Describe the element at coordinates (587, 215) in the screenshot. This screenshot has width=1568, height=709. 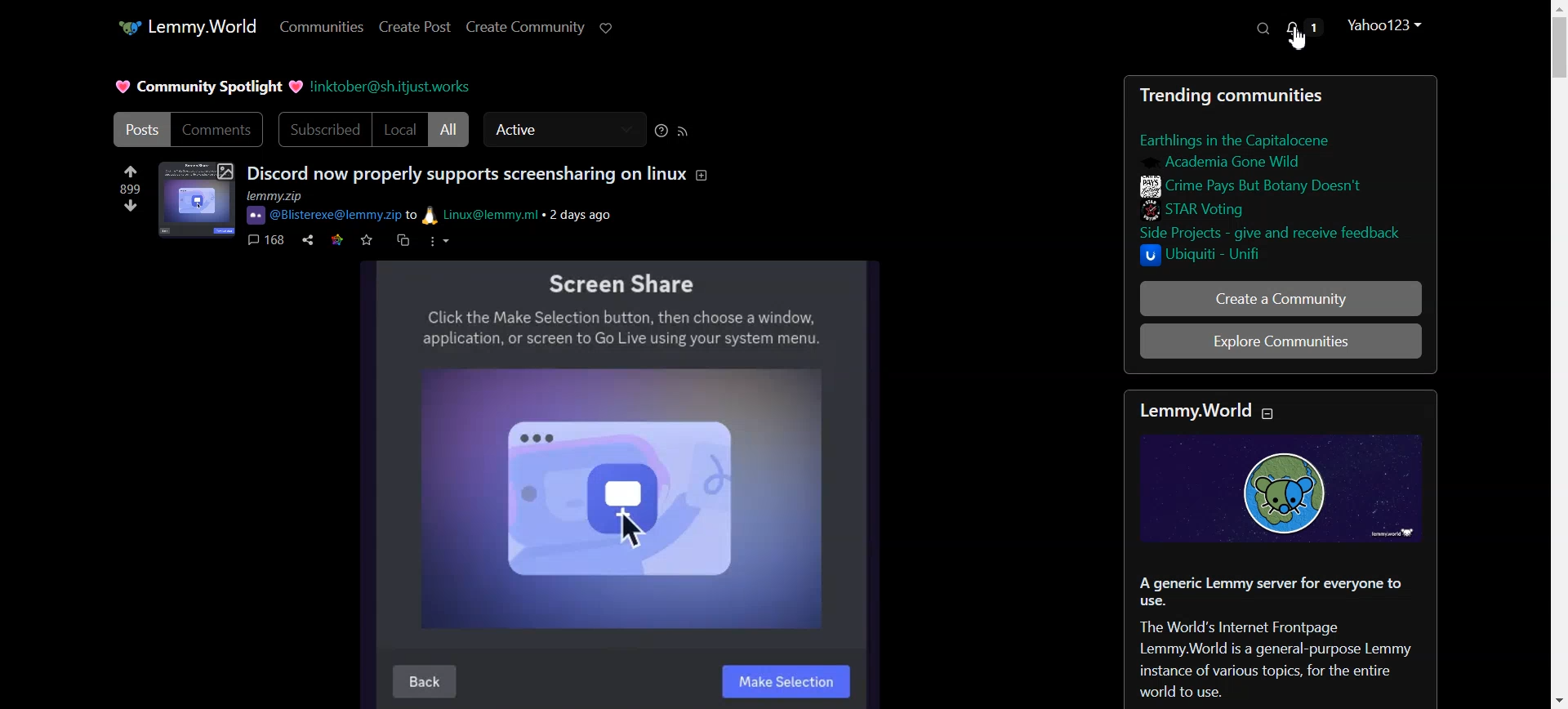
I see `2 days ago` at that location.